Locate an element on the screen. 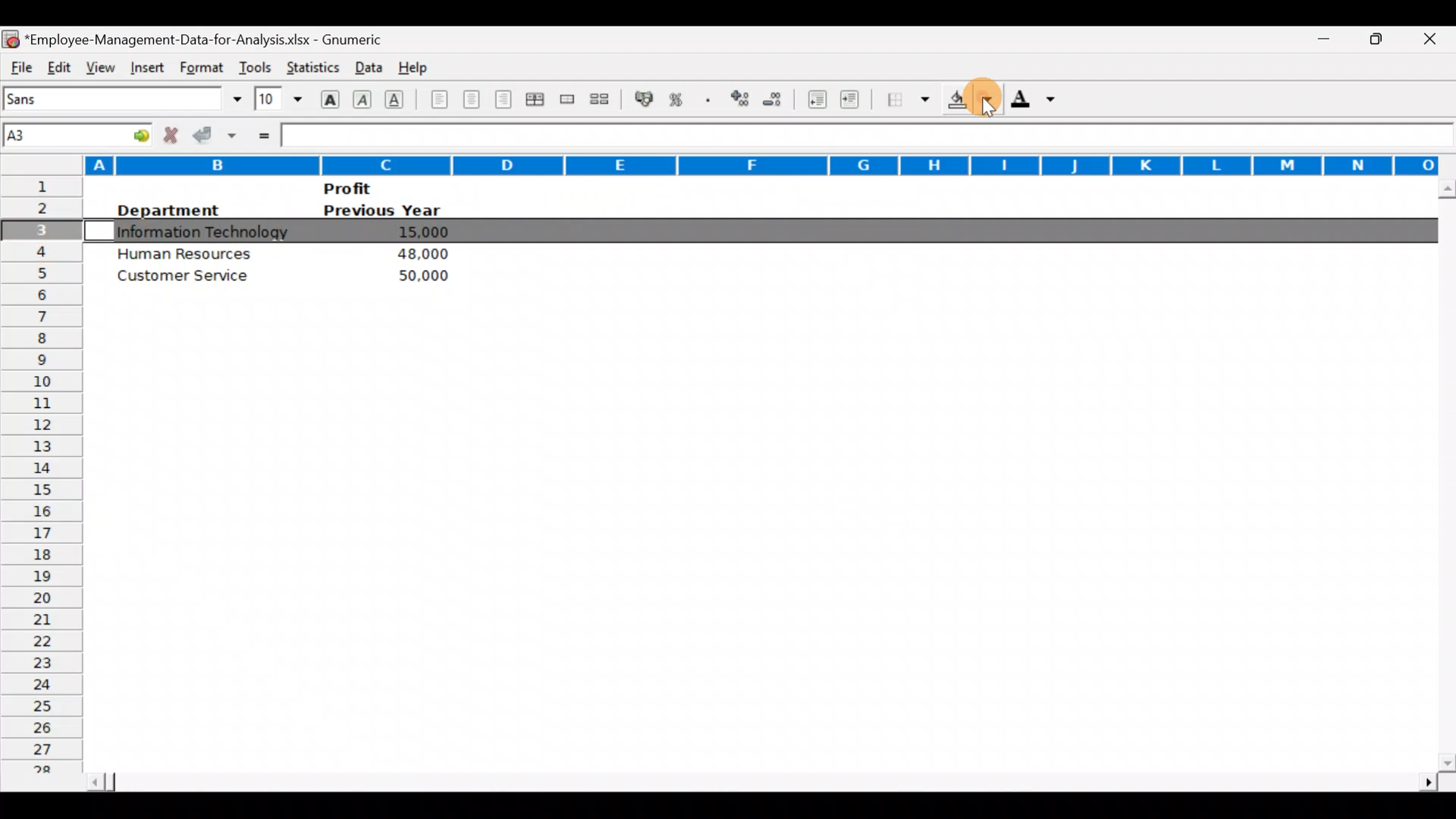 The width and height of the screenshot is (1456, 819). Italic is located at coordinates (362, 101).